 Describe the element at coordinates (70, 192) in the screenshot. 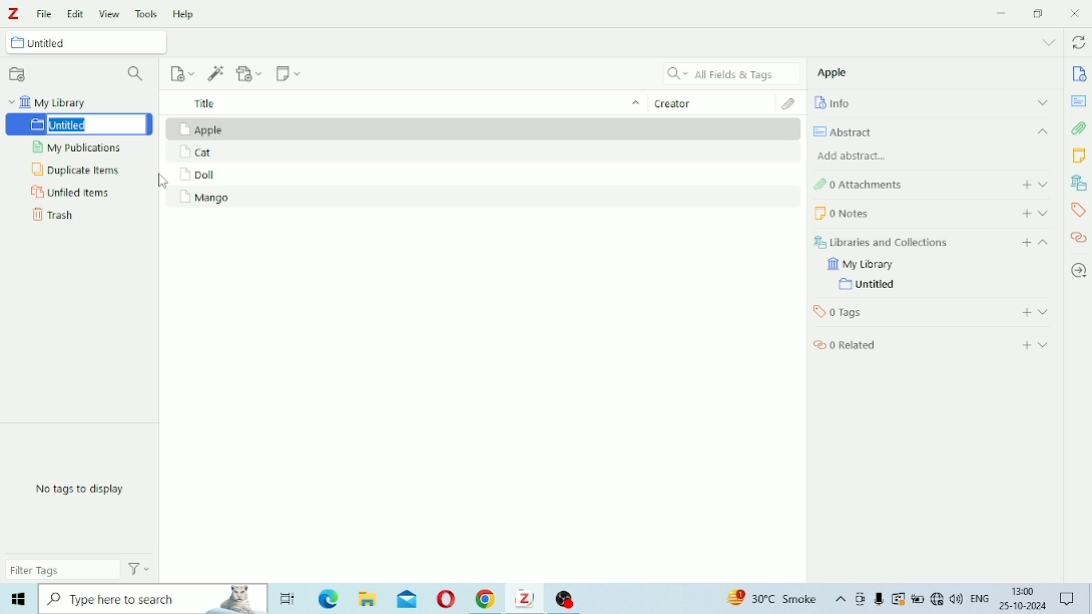

I see `Unfiled Items` at that location.